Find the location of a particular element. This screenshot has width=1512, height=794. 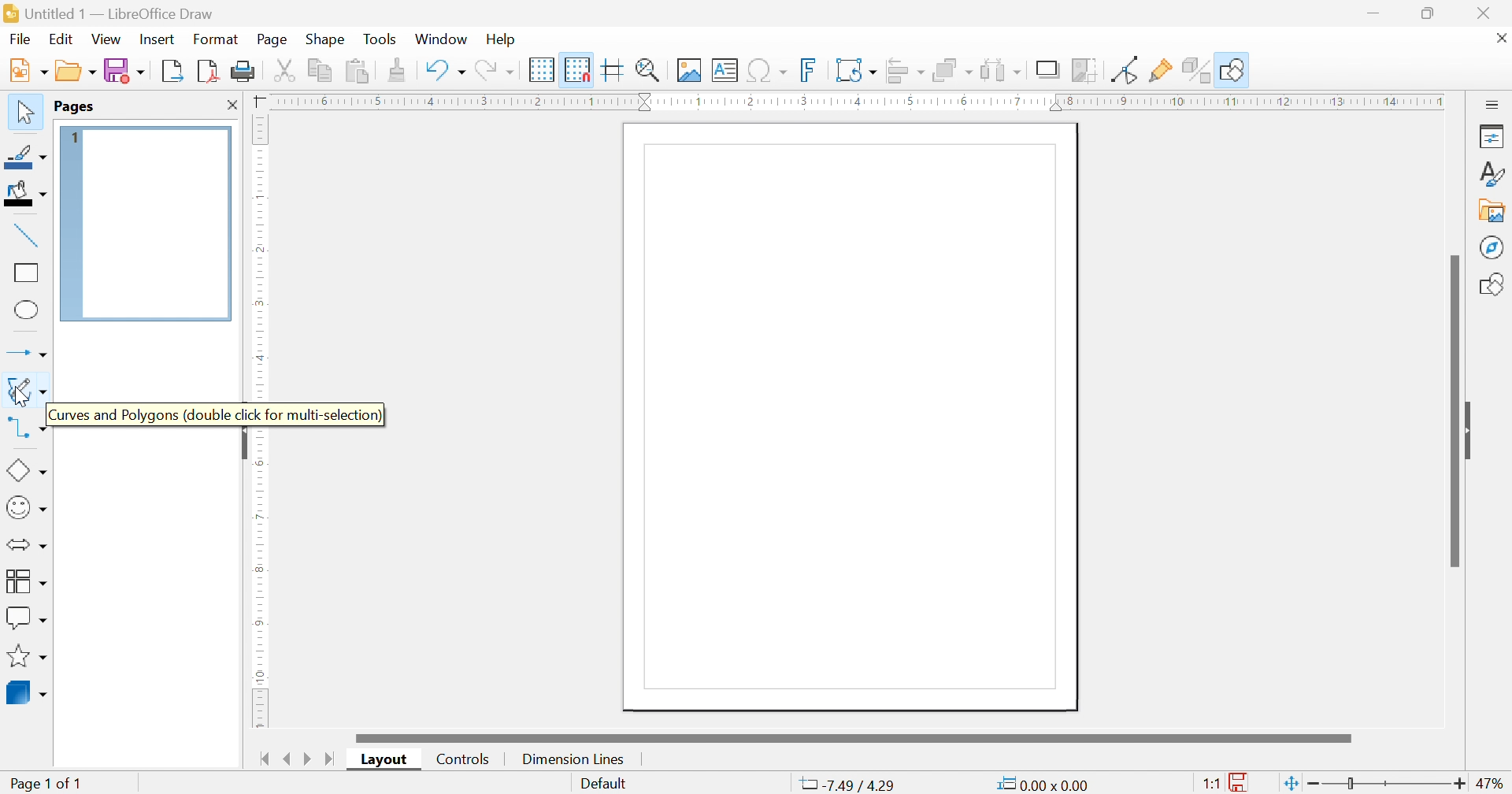

fit page to current window is located at coordinates (1292, 783).